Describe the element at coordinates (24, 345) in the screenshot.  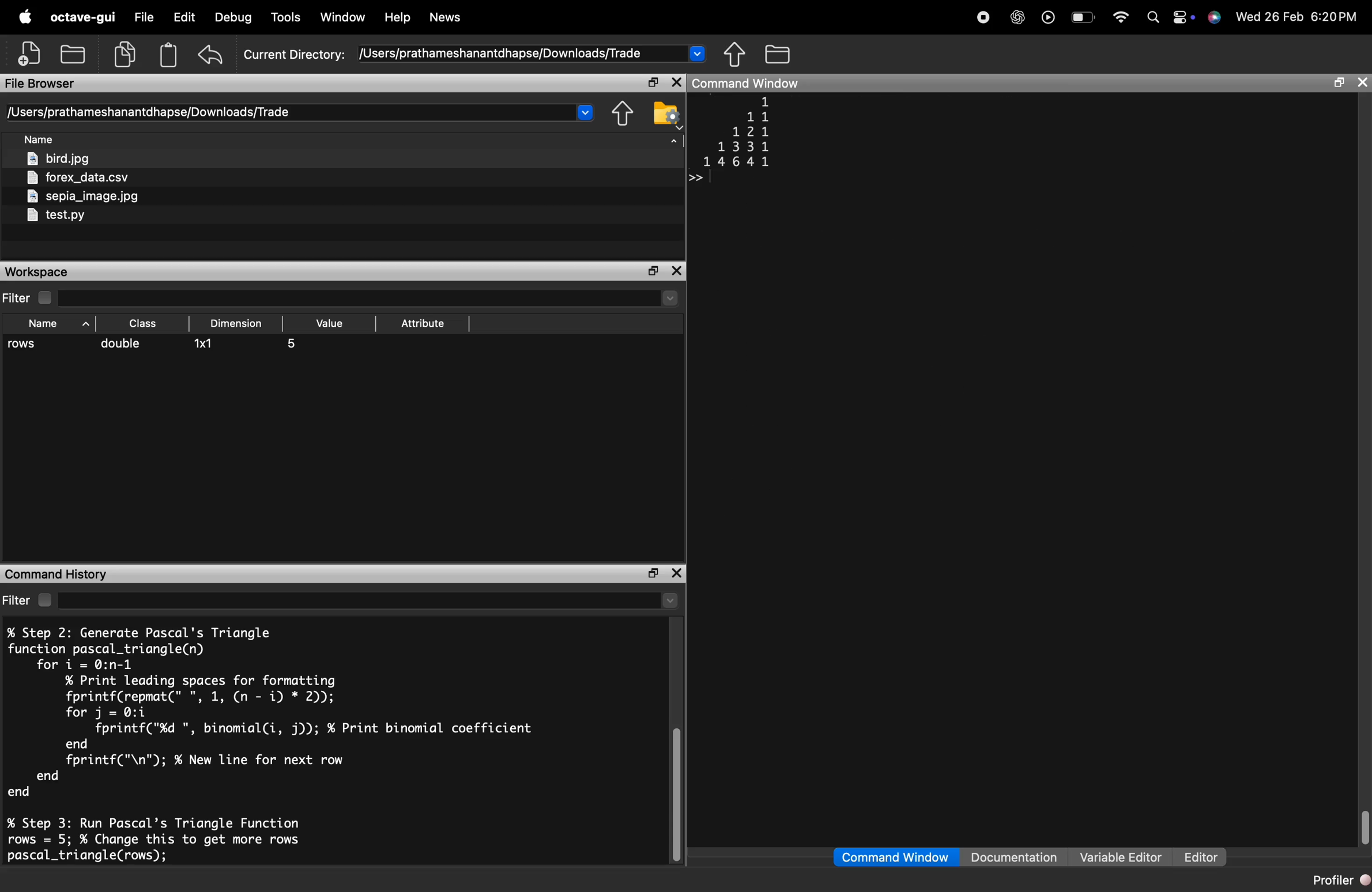
I see `rows` at that location.